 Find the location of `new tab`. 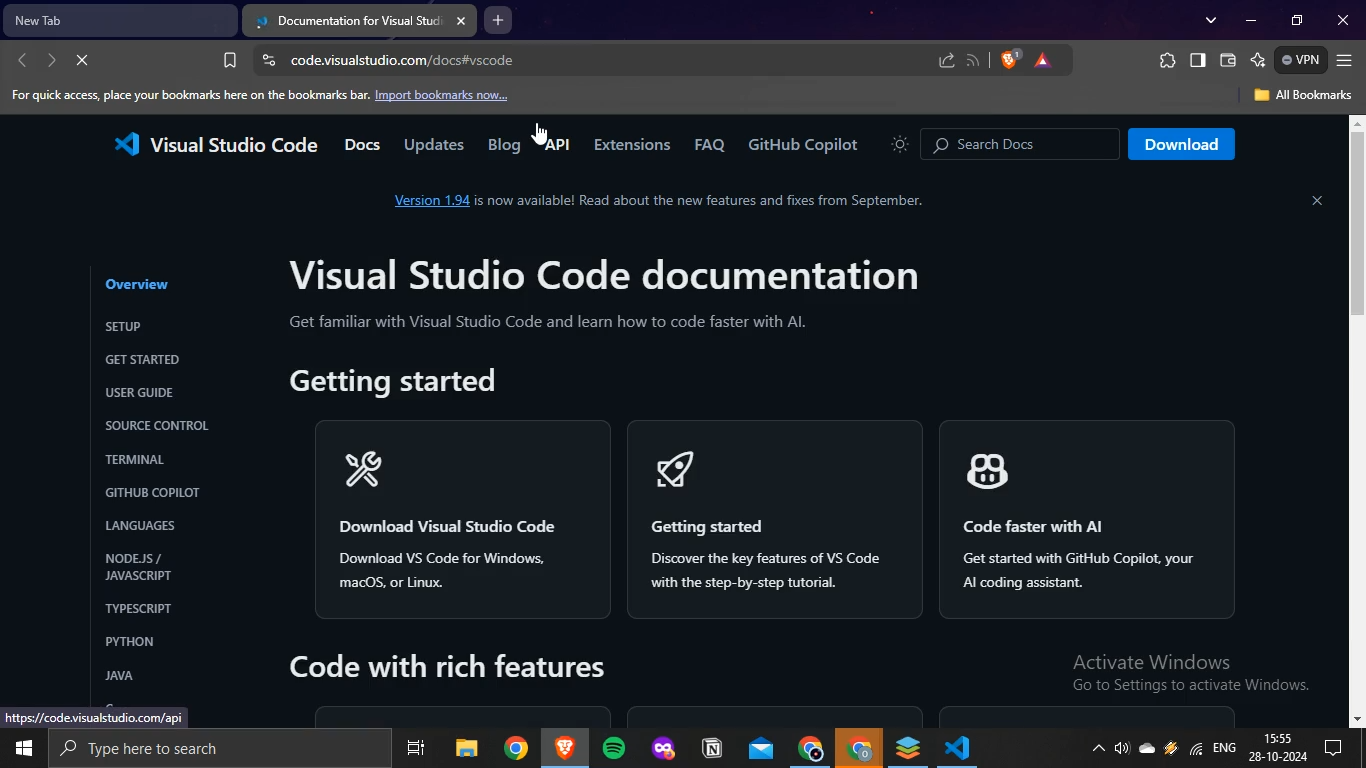

new tab is located at coordinates (117, 21).